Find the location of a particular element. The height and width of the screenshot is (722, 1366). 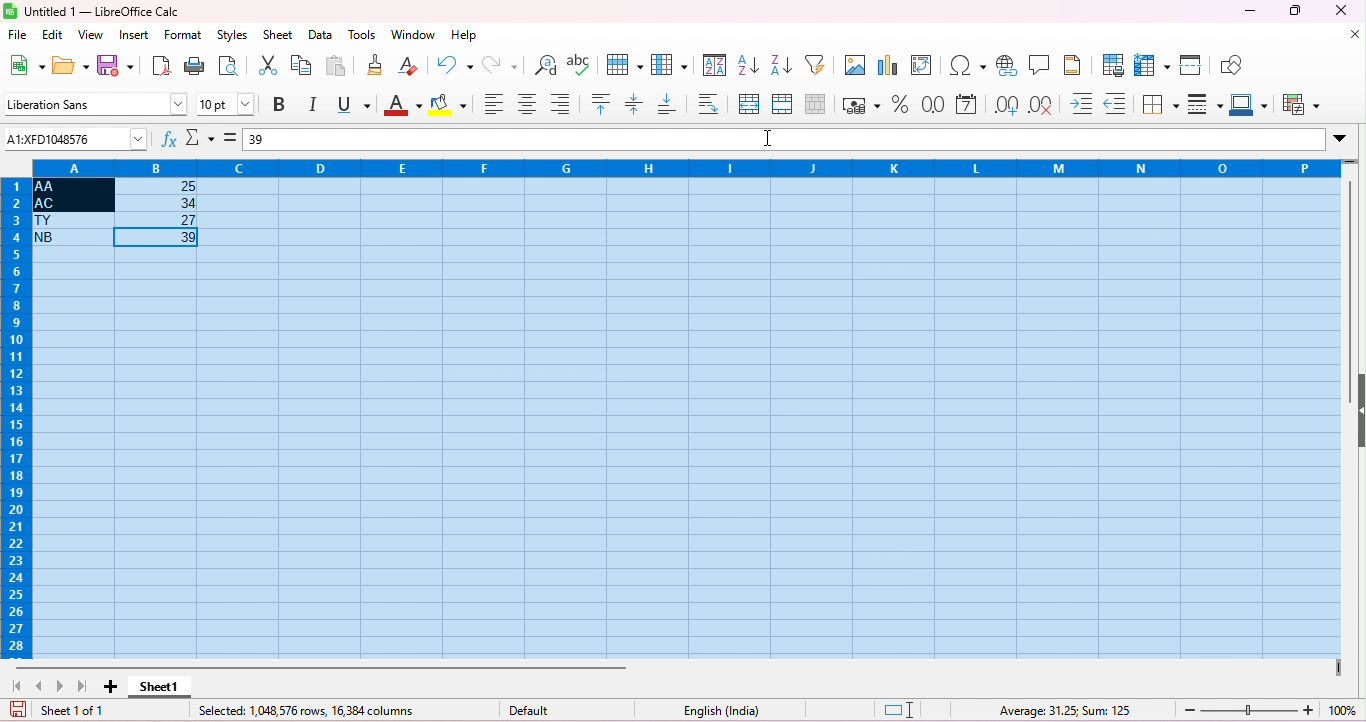

last sheet is located at coordinates (82, 687).